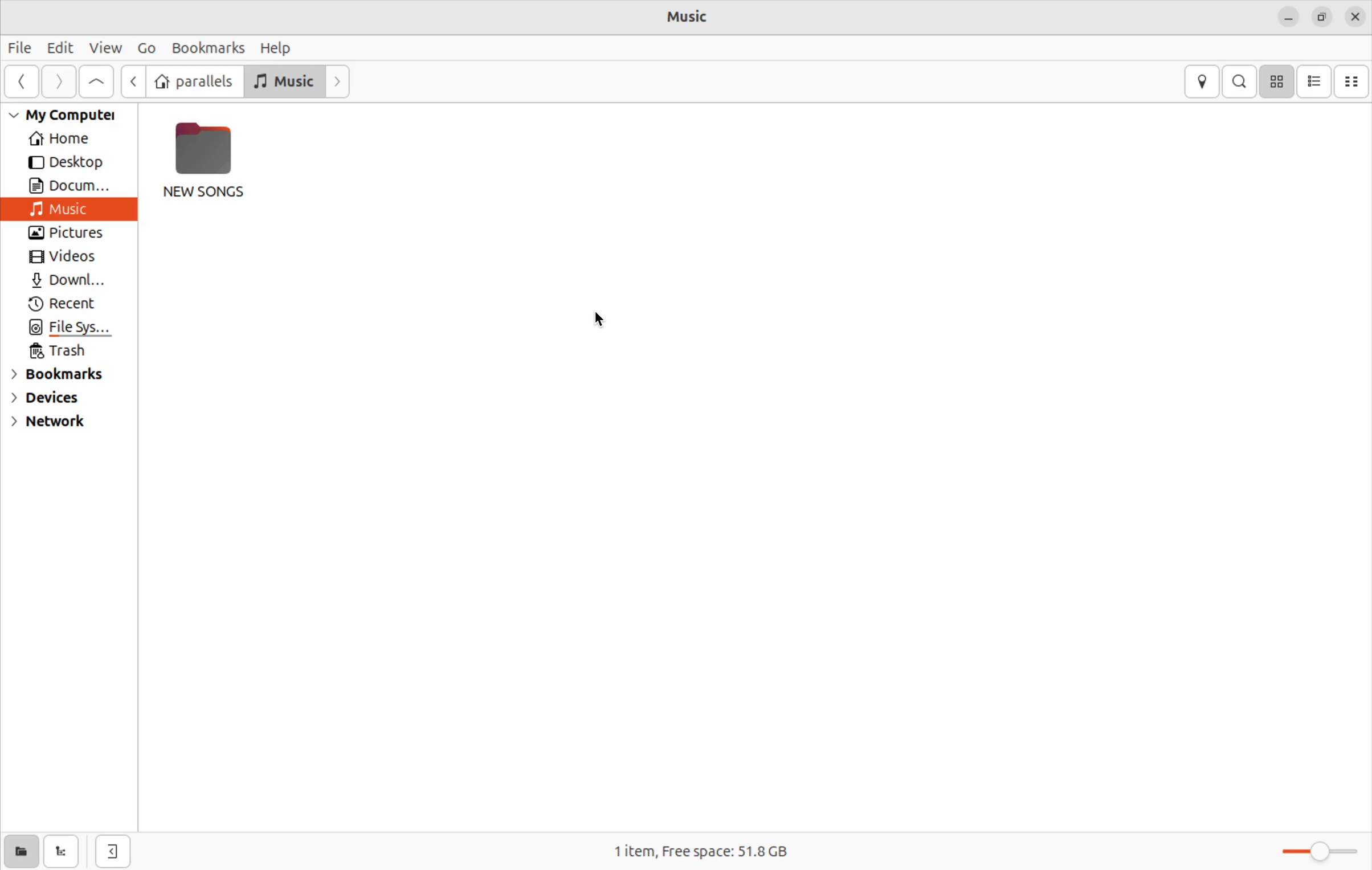 Image resolution: width=1372 pixels, height=870 pixels. Describe the element at coordinates (97, 81) in the screenshot. I see `go first ` at that location.